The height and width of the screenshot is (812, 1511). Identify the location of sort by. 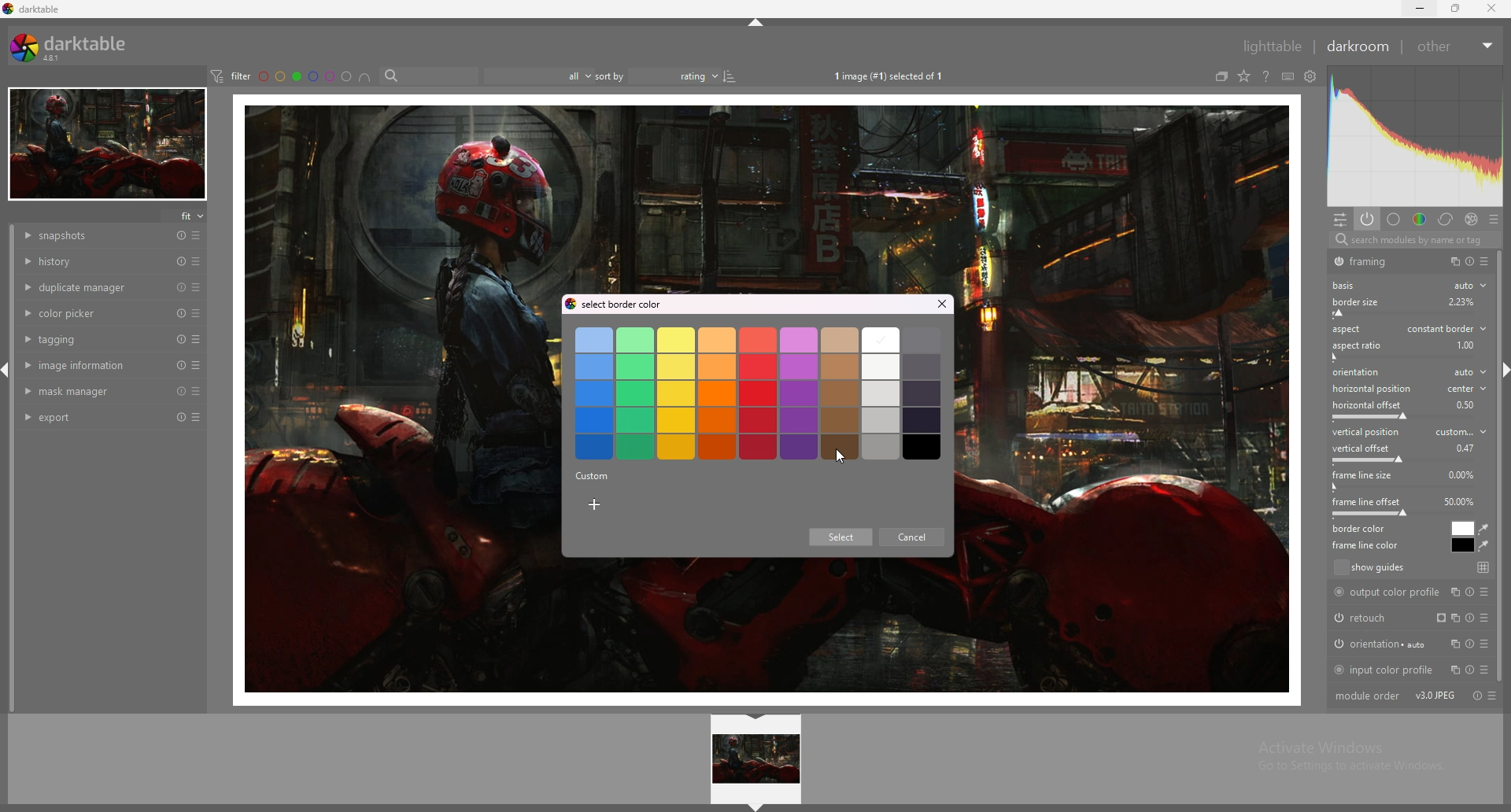
(608, 76).